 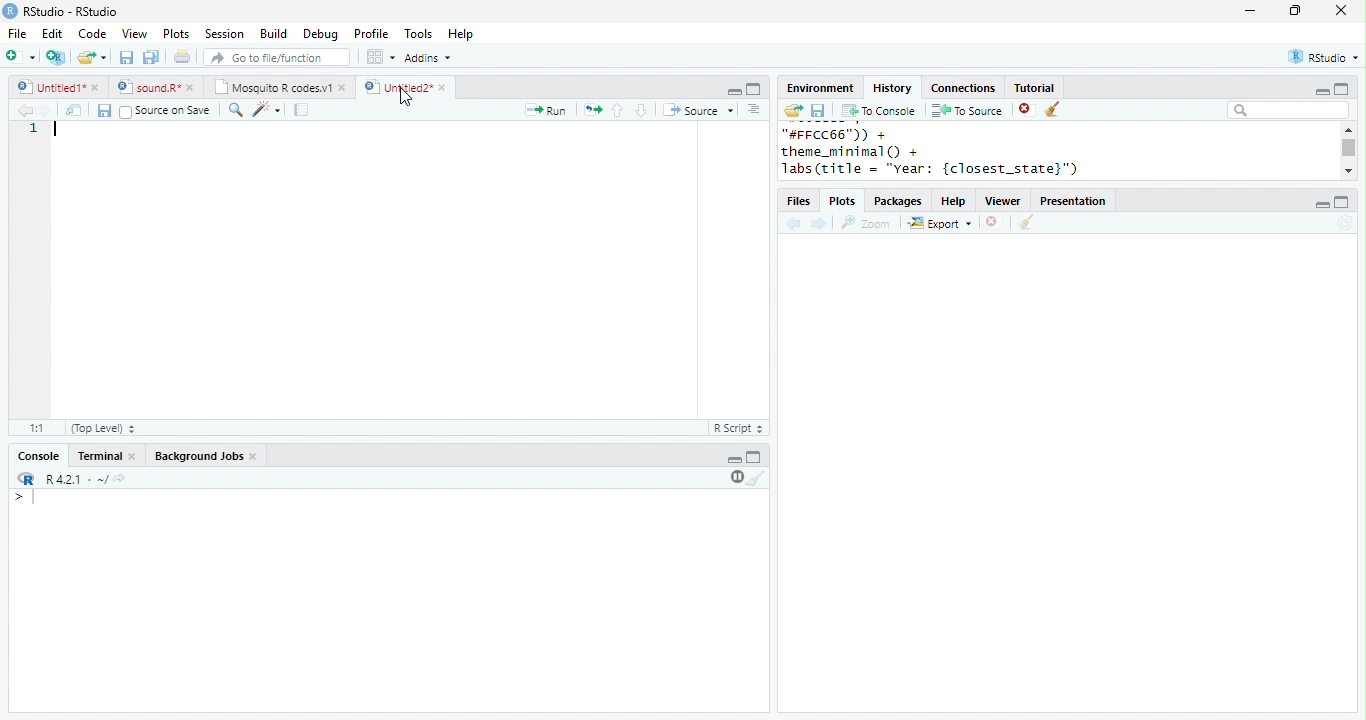 What do you see at coordinates (754, 89) in the screenshot?
I see `Maximize` at bounding box center [754, 89].